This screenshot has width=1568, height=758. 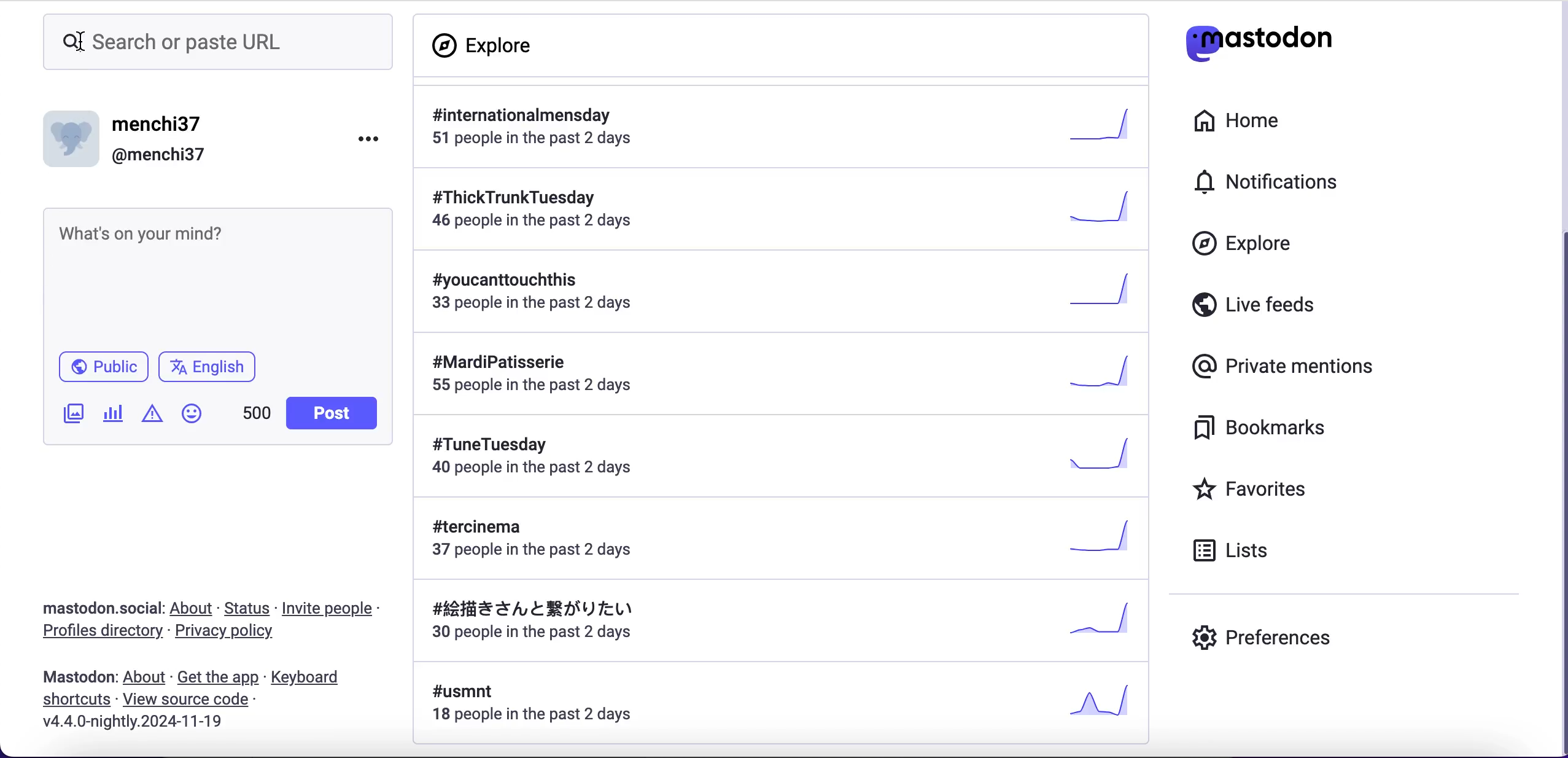 What do you see at coordinates (1243, 244) in the screenshot?
I see `explore` at bounding box center [1243, 244].